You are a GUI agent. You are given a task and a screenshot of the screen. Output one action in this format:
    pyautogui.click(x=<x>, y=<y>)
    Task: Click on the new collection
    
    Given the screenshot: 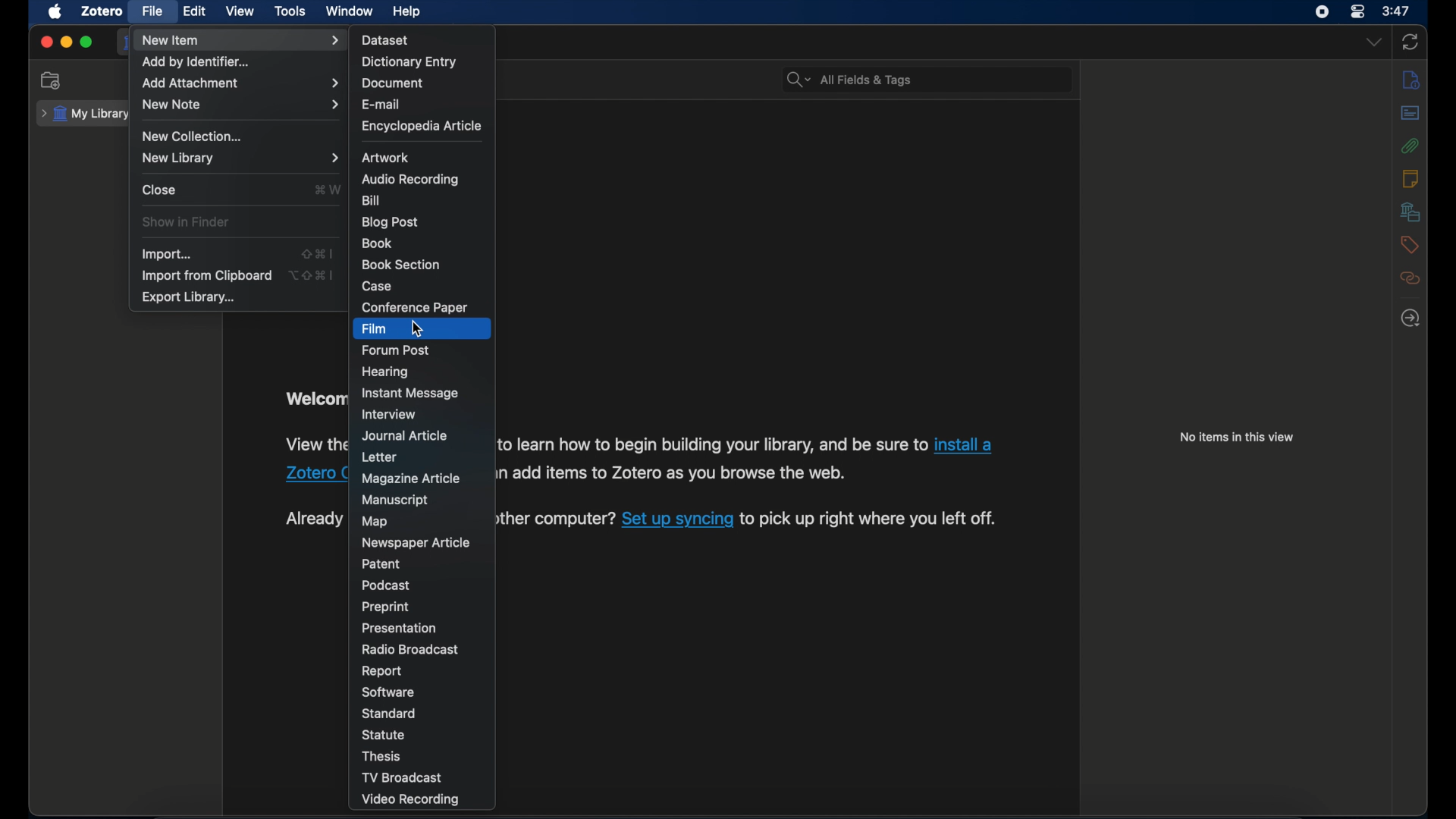 What is the action you would take?
    pyautogui.click(x=51, y=80)
    